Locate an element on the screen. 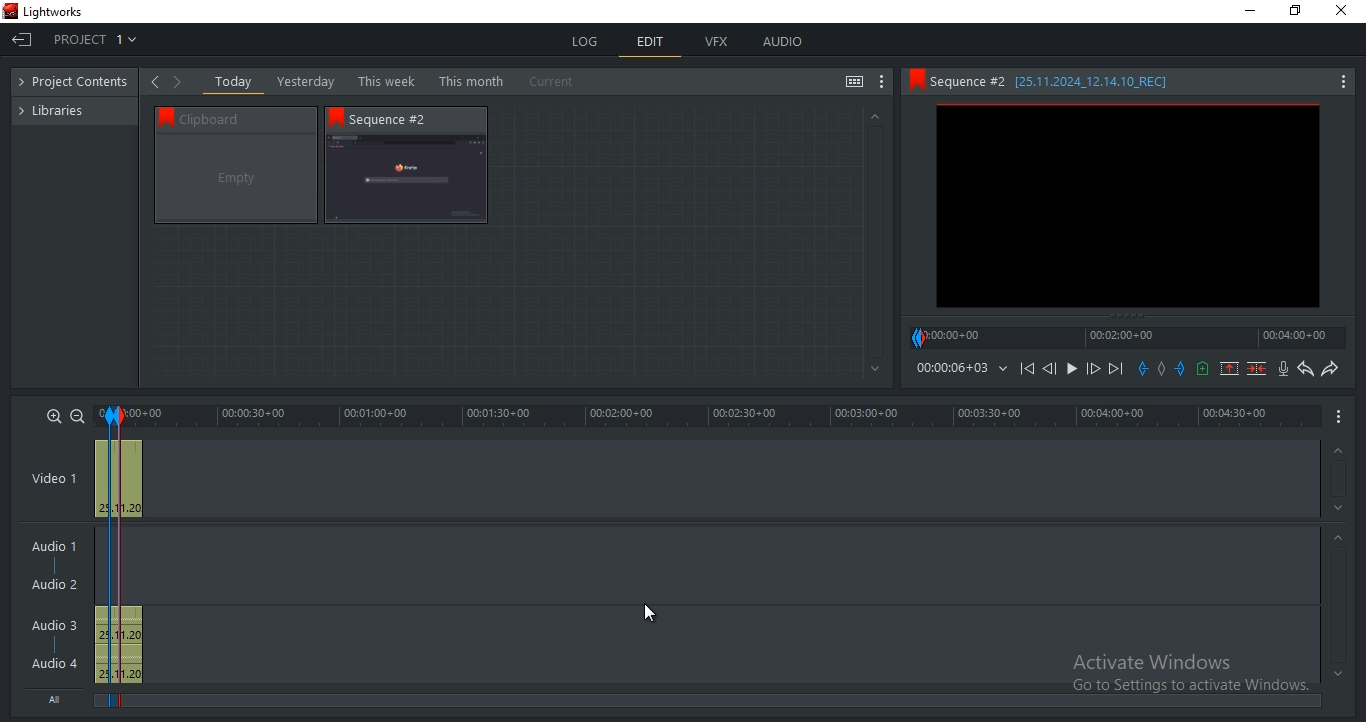 This screenshot has height=722, width=1366. add cue is located at coordinates (1203, 369).